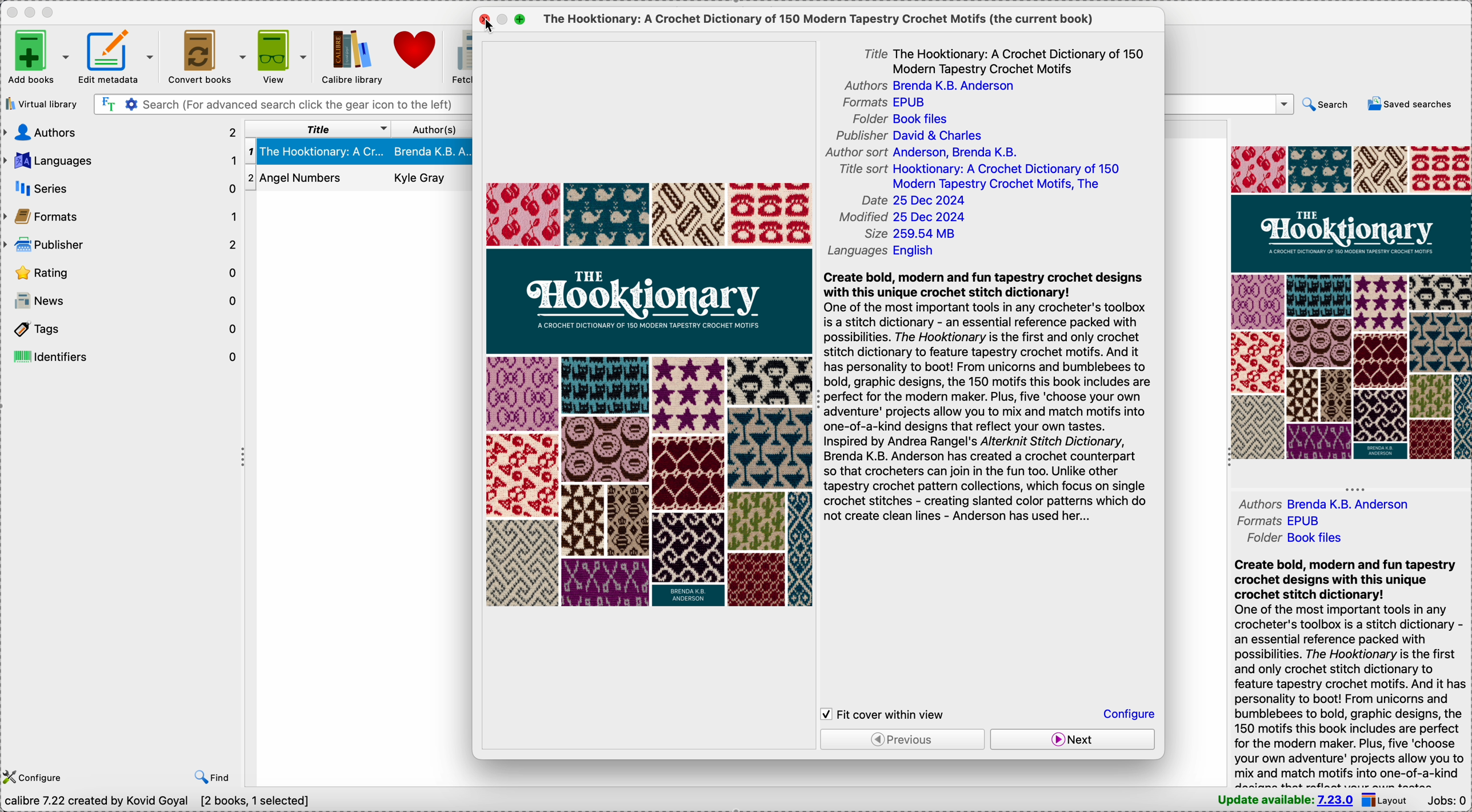 The width and height of the screenshot is (1472, 812). I want to click on size, so click(913, 234).